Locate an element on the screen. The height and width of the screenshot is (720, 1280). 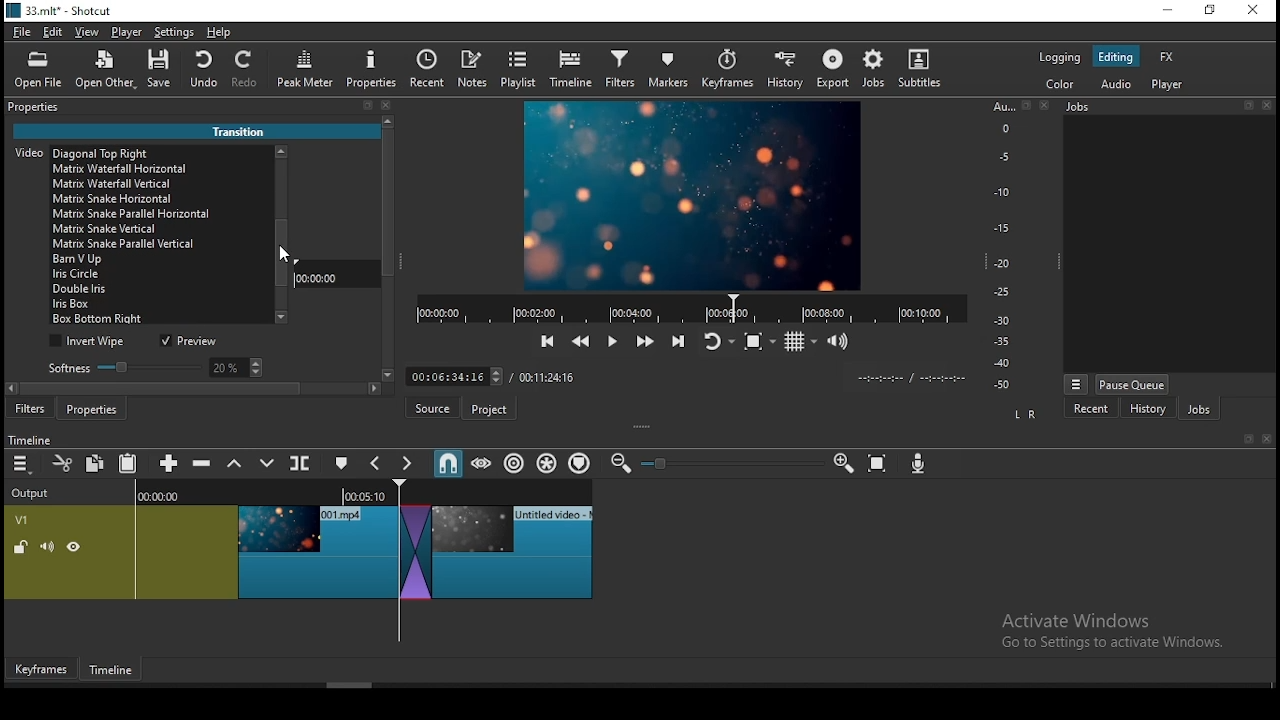
preview on/off is located at coordinates (192, 342).